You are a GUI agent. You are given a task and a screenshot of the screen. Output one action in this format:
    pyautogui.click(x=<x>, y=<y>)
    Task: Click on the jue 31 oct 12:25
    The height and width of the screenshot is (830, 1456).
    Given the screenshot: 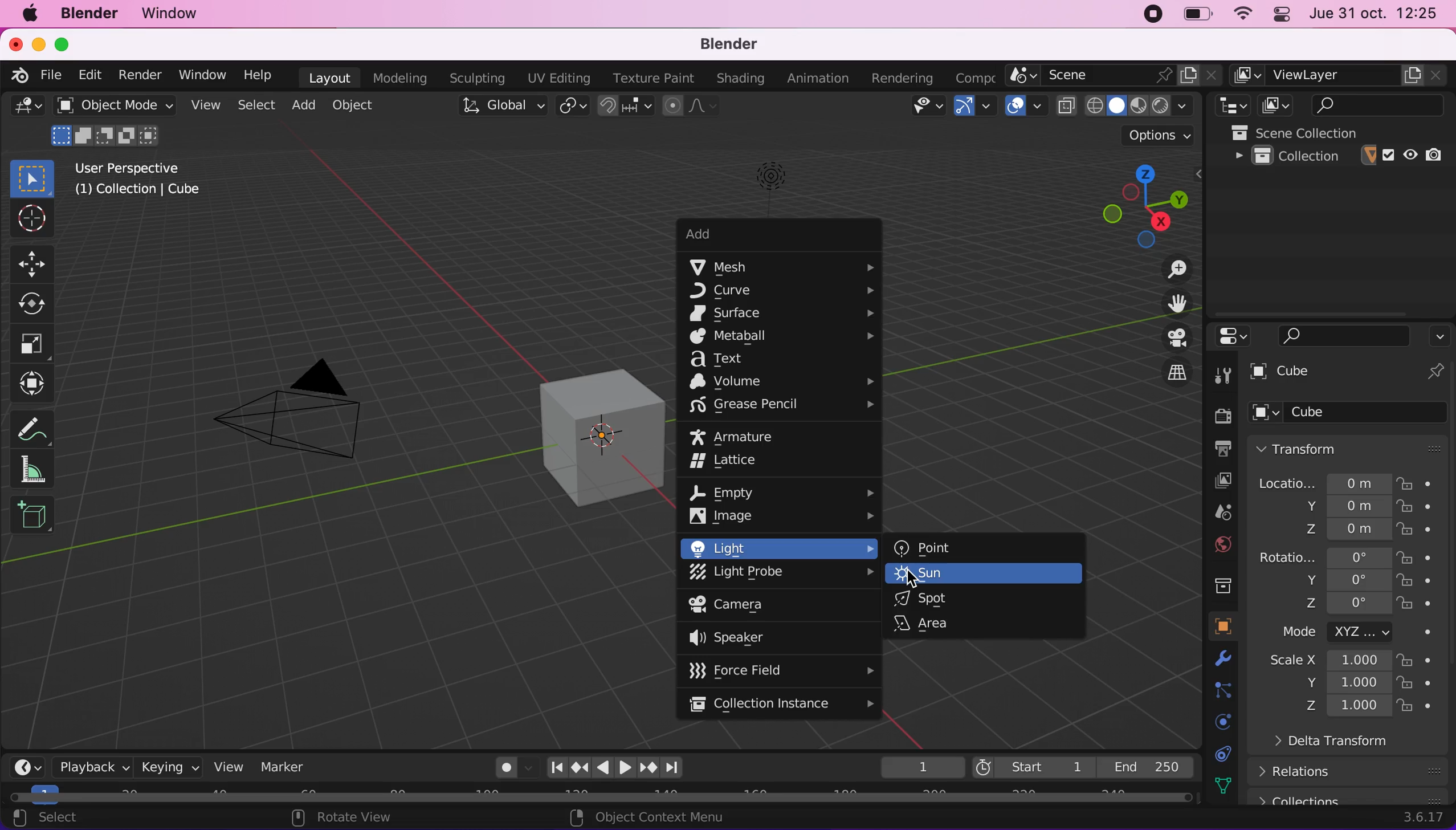 What is the action you would take?
    pyautogui.click(x=1376, y=14)
    